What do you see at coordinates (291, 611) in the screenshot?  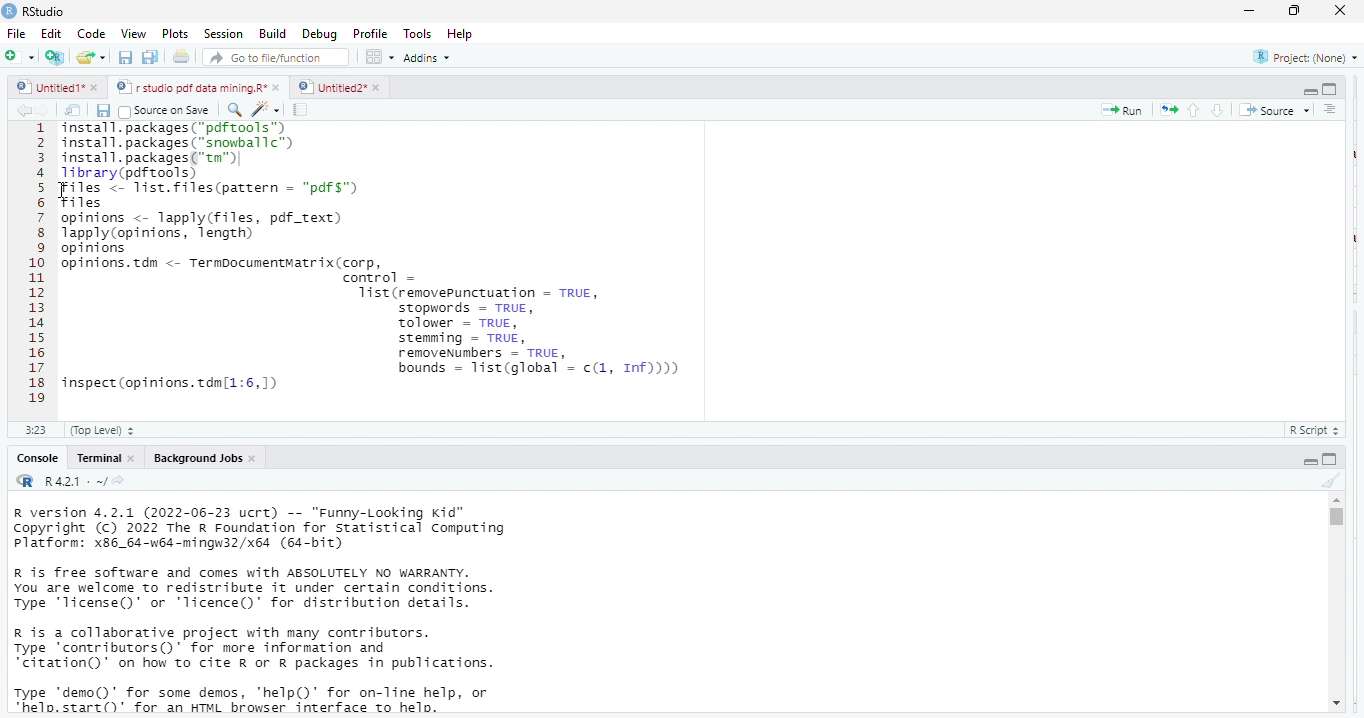 I see `R version 4.2.1 (2022-06-23 ucrt) -- "Funny-Looking Kid™
Copyright (C) 2022 The R Foundation for Statistical Computing
Platform: x86_64-w64-mingw32/x64 (64-bit)

R is free software and comes with ABSOLUTELY NO WARRANTY.
You are welcome to redistribute it under certain conditions.
Type 'Ticense()' or 'licence()’ for distribution details.

R is a collaborative project with many contributors.

Type ‘contributors()’ for more information and

“citation()’ on how to cite R or R packages in publications.
Type "demo()’ for some demos, 'help()' for on-line help, or
"helo.start()" for an HTML browser interface to helo.` at bounding box center [291, 611].